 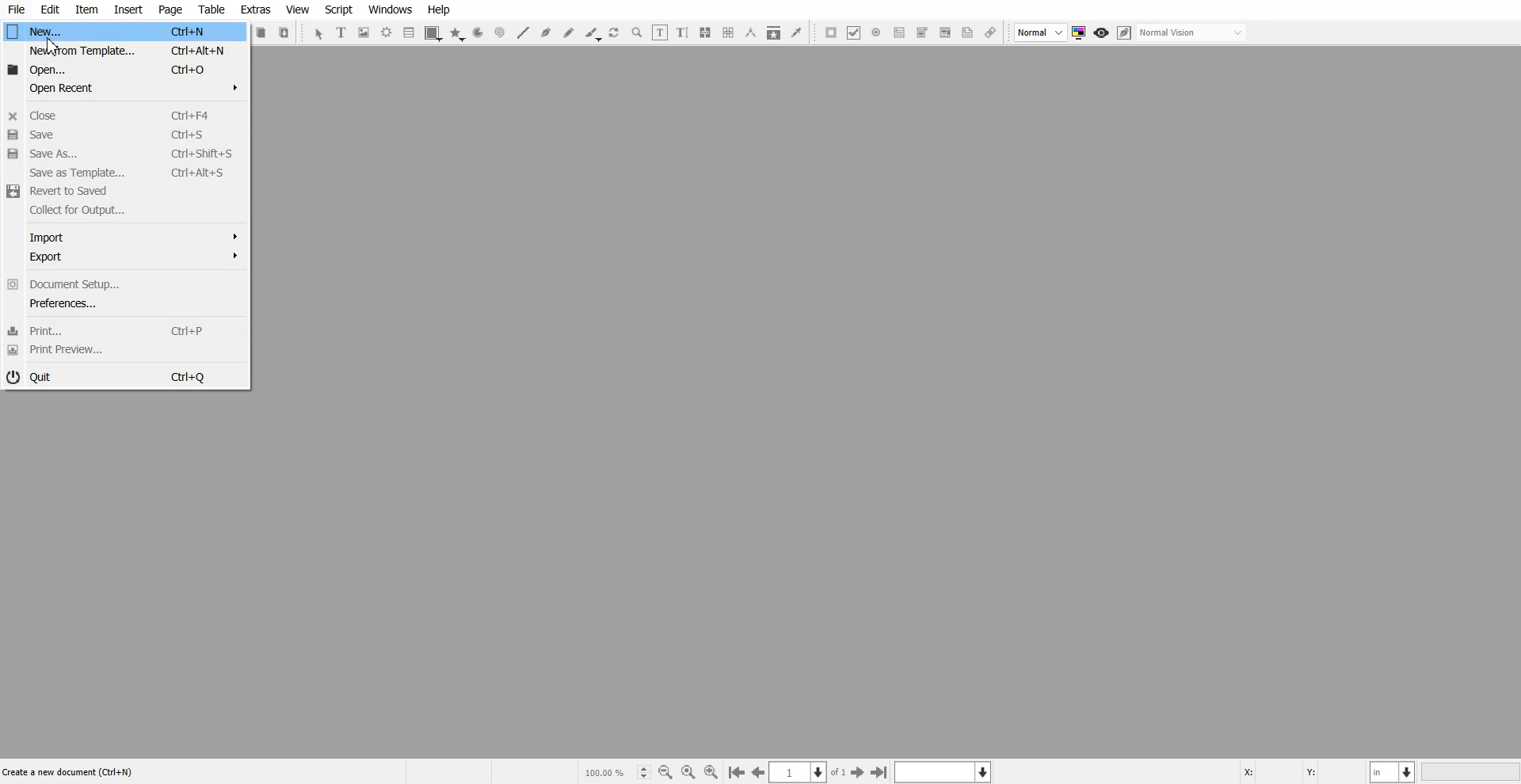 What do you see at coordinates (967, 33) in the screenshot?
I see `Text Annotation` at bounding box center [967, 33].